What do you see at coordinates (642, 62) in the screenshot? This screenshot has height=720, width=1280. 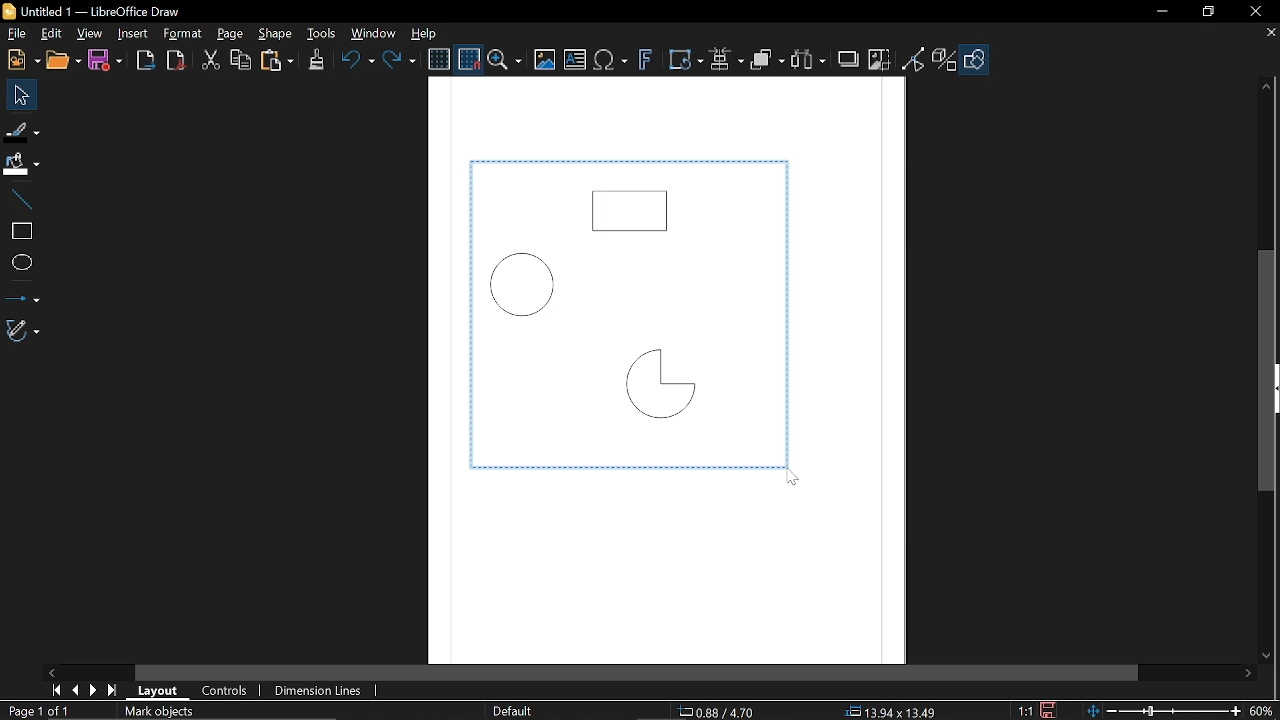 I see `Insert fontwork` at bounding box center [642, 62].